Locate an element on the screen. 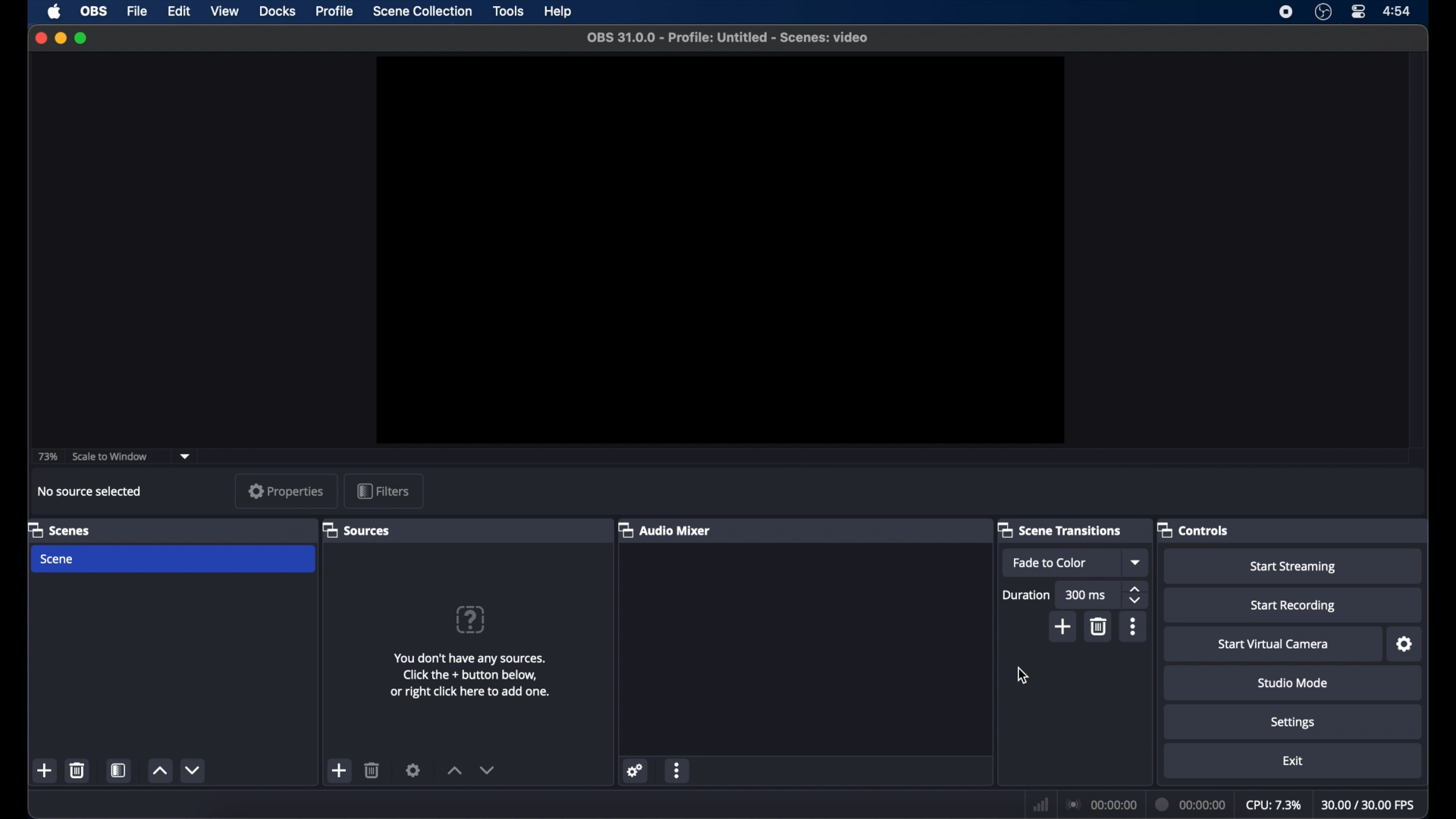  tools is located at coordinates (510, 11).